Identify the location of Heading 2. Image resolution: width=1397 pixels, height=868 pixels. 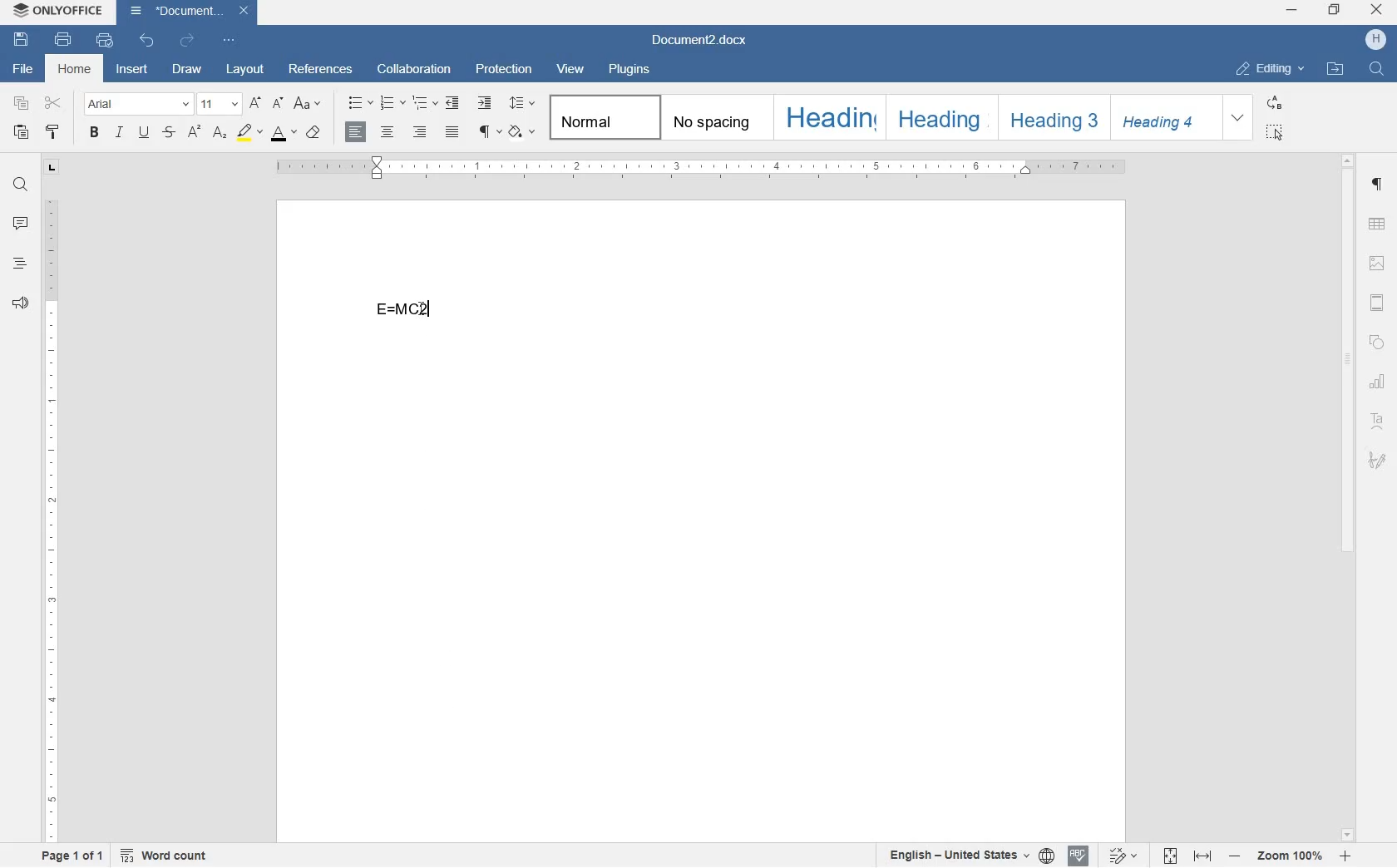
(939, 118).